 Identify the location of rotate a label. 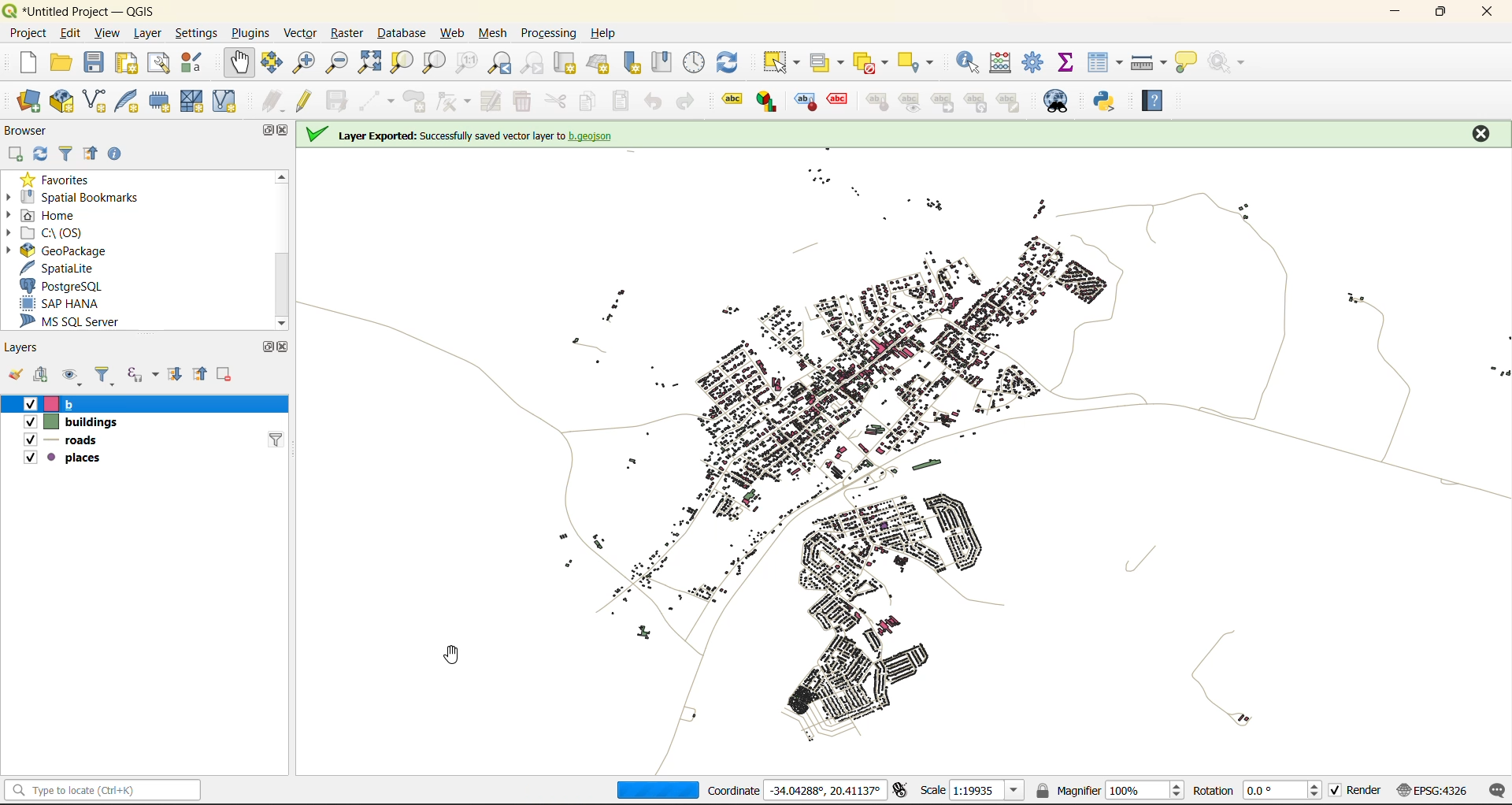
(976, 103).